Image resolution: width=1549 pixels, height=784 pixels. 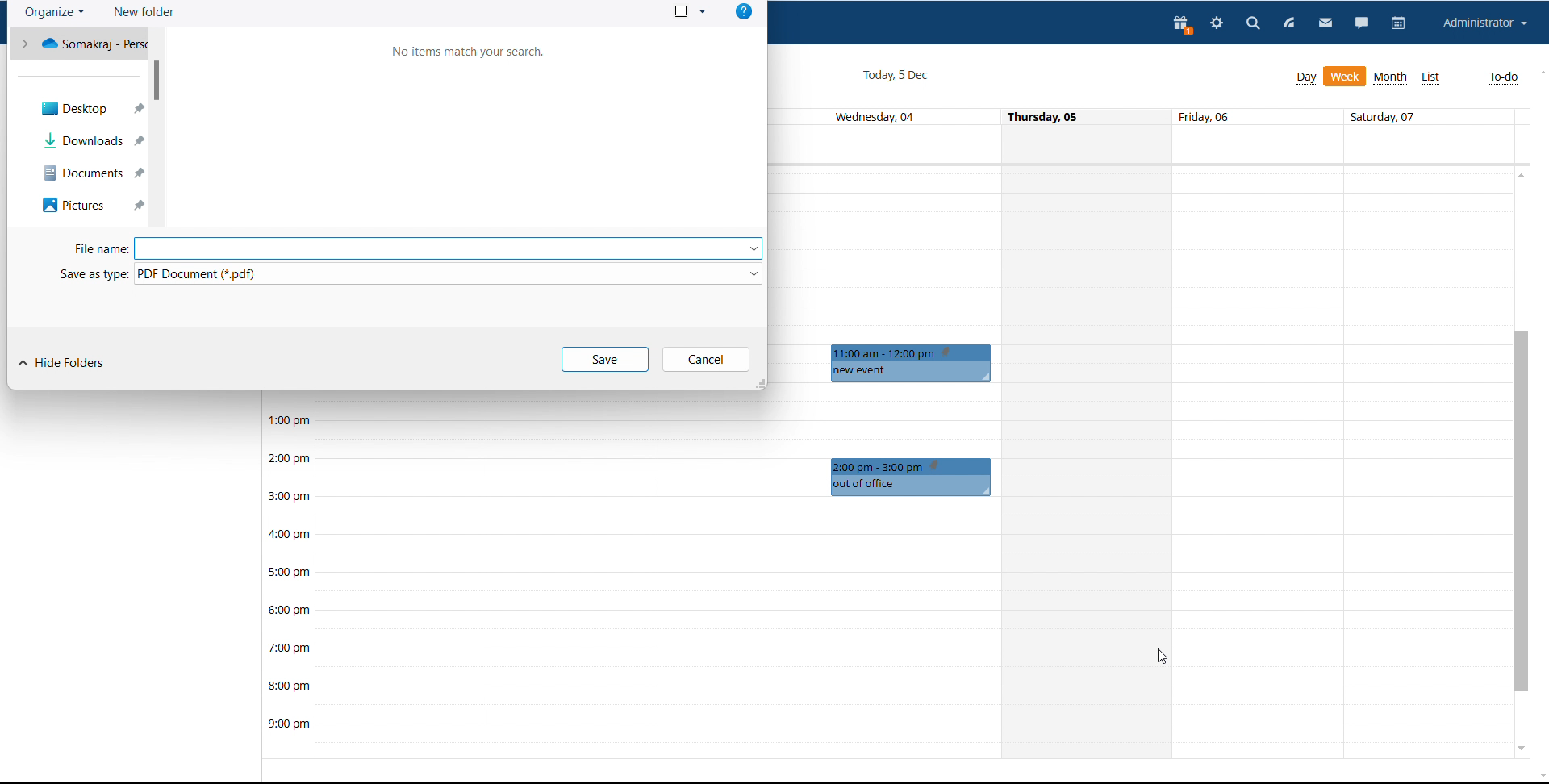 What do you see at coordinates (1346, 77) in the screenshot?
I see `week view` at bounding box center [1346, 77].